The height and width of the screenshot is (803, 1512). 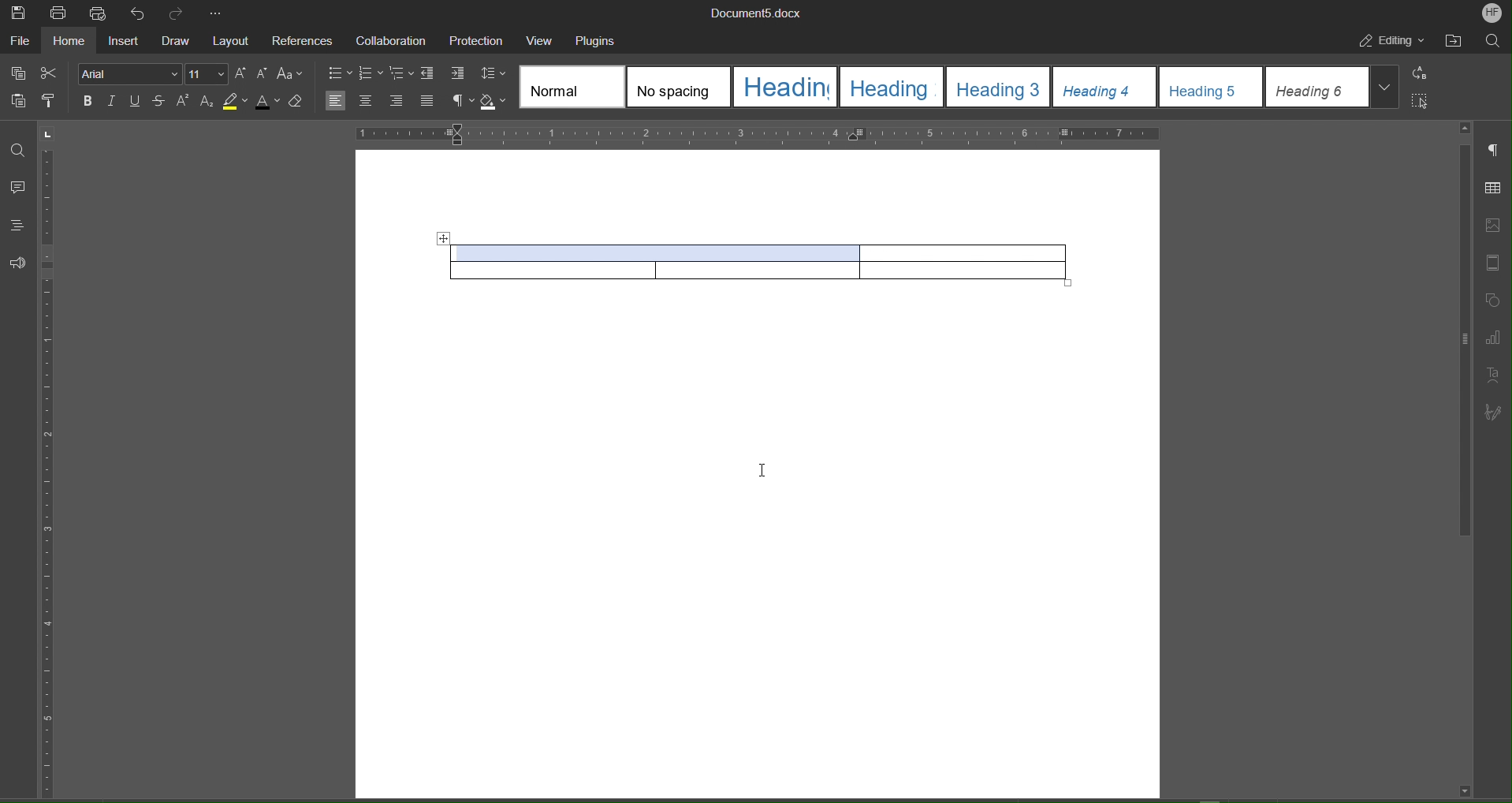 What do you see at coordinates (402, 74) in the screenshot?
I see `Multilevel list` at bounding box center [402, 74].